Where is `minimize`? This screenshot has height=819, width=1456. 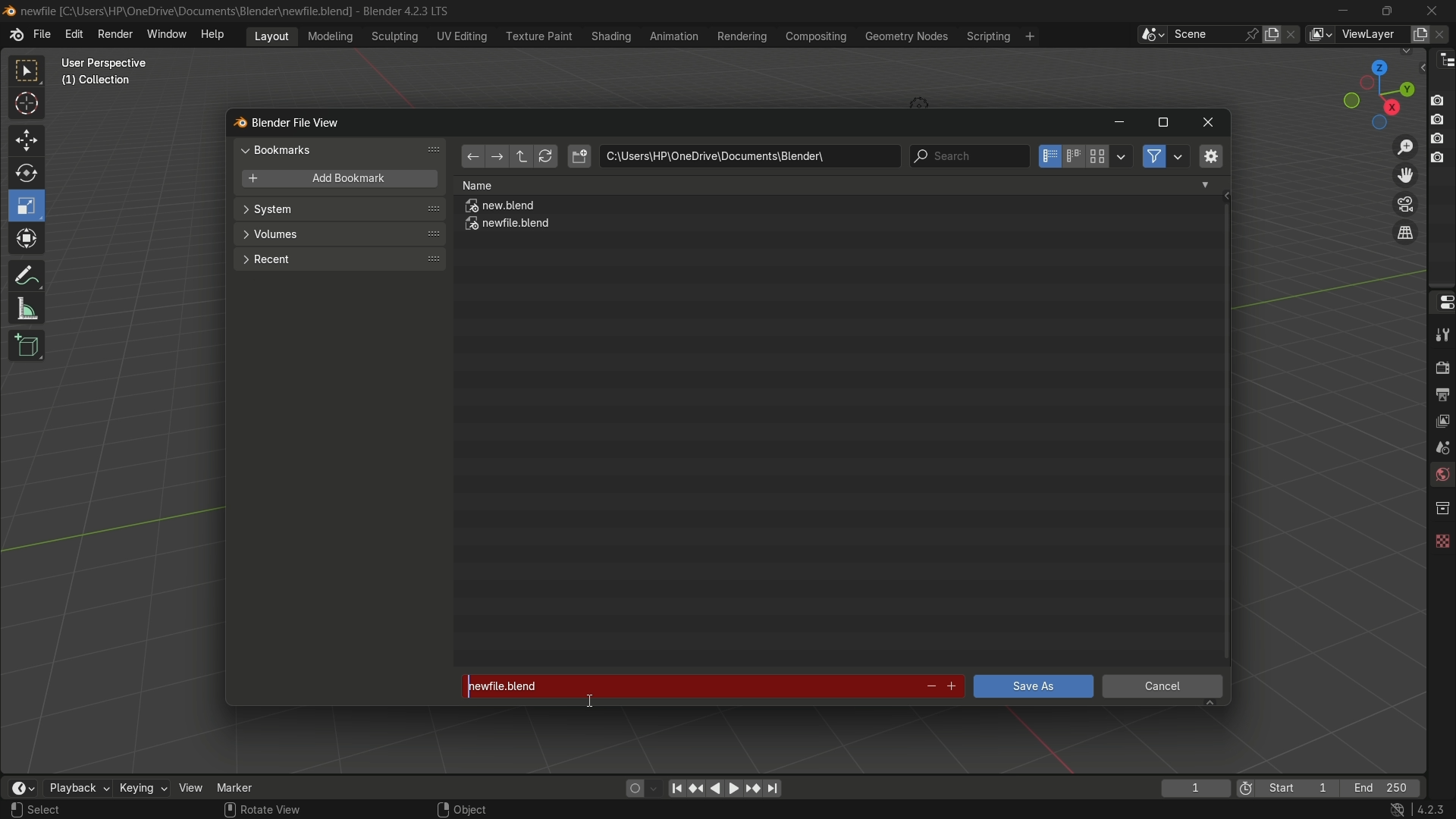 minimize is located at coordinates (1119, 124).